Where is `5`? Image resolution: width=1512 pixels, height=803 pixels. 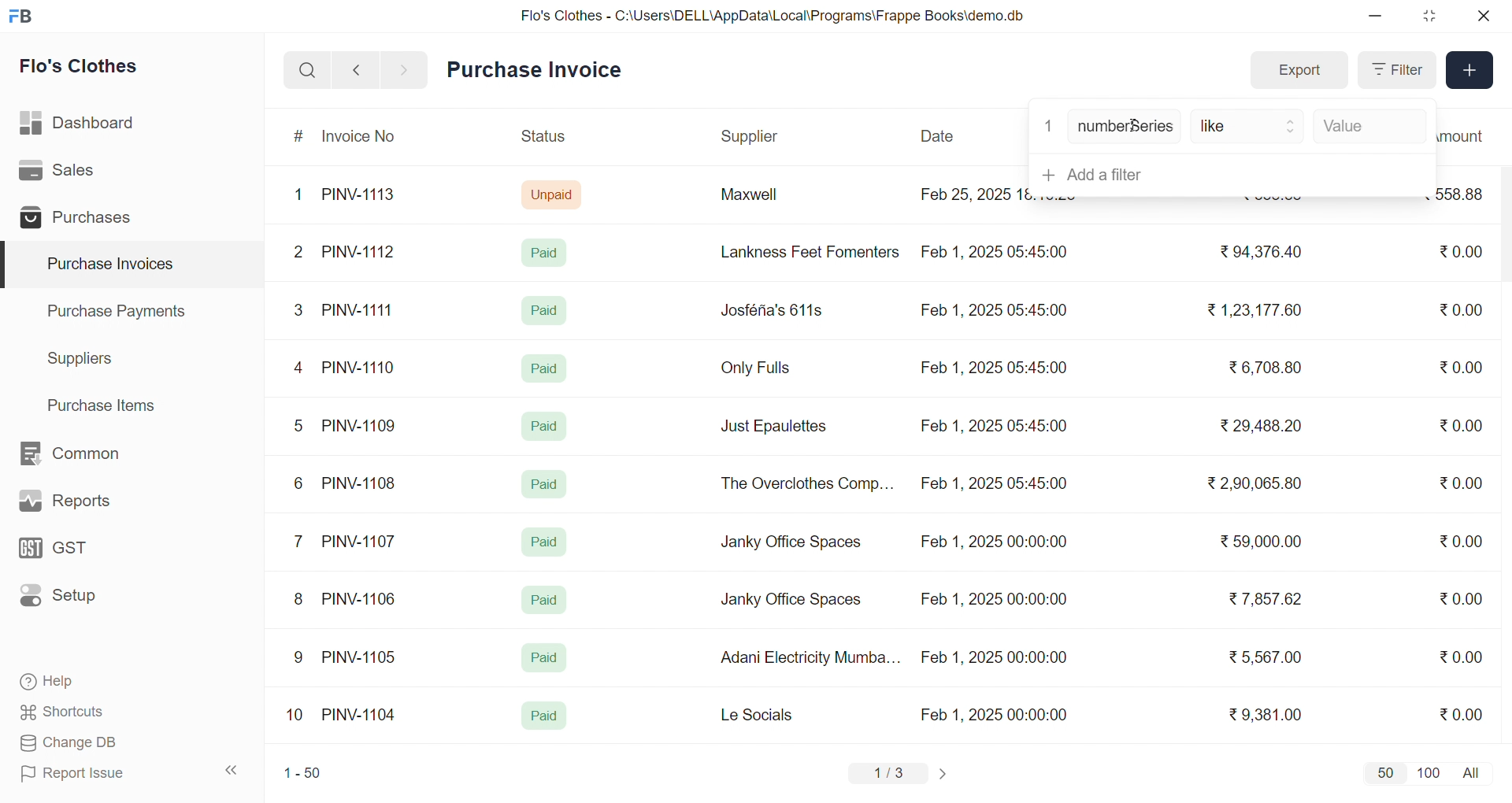
5 is located at coordinates (298, 425).